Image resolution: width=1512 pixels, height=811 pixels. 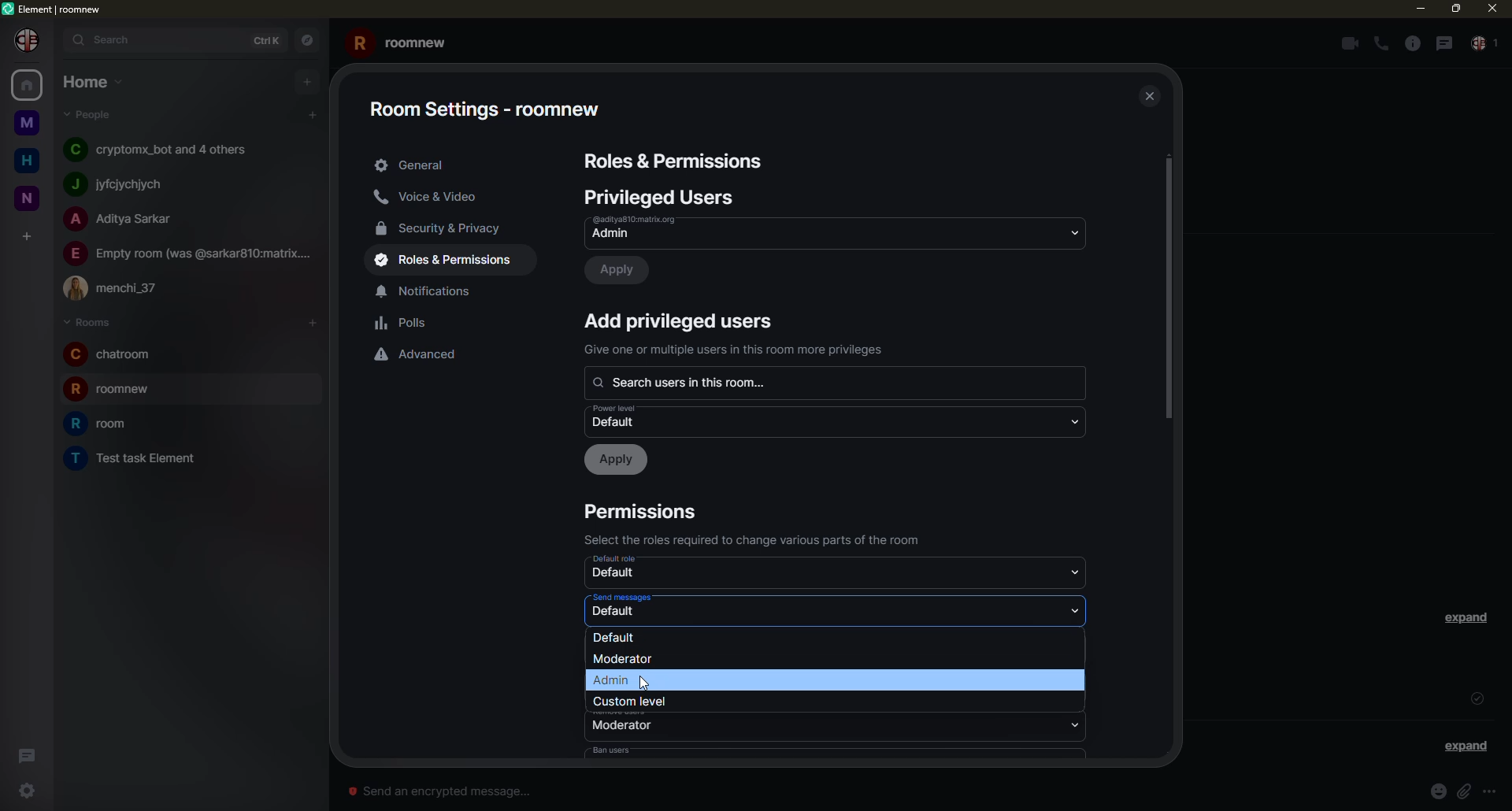 What do you see at coordinates (433, 291) in the screenshot?
I see `notifications` at bounding box center [433, 291].